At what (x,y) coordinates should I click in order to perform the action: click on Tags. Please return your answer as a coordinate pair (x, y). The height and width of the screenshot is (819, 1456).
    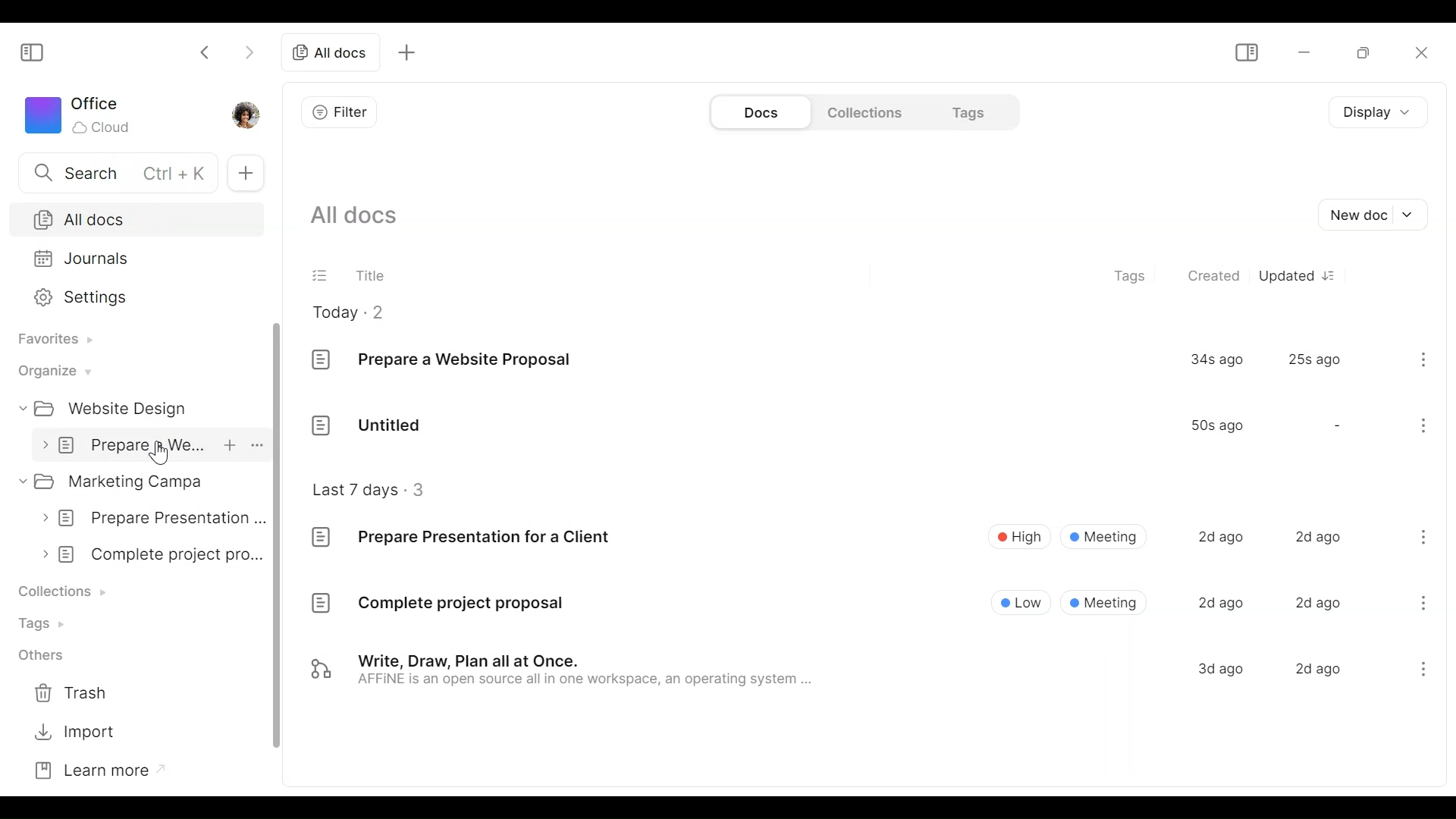
    Looking at the image, I should click on (1132, 275).